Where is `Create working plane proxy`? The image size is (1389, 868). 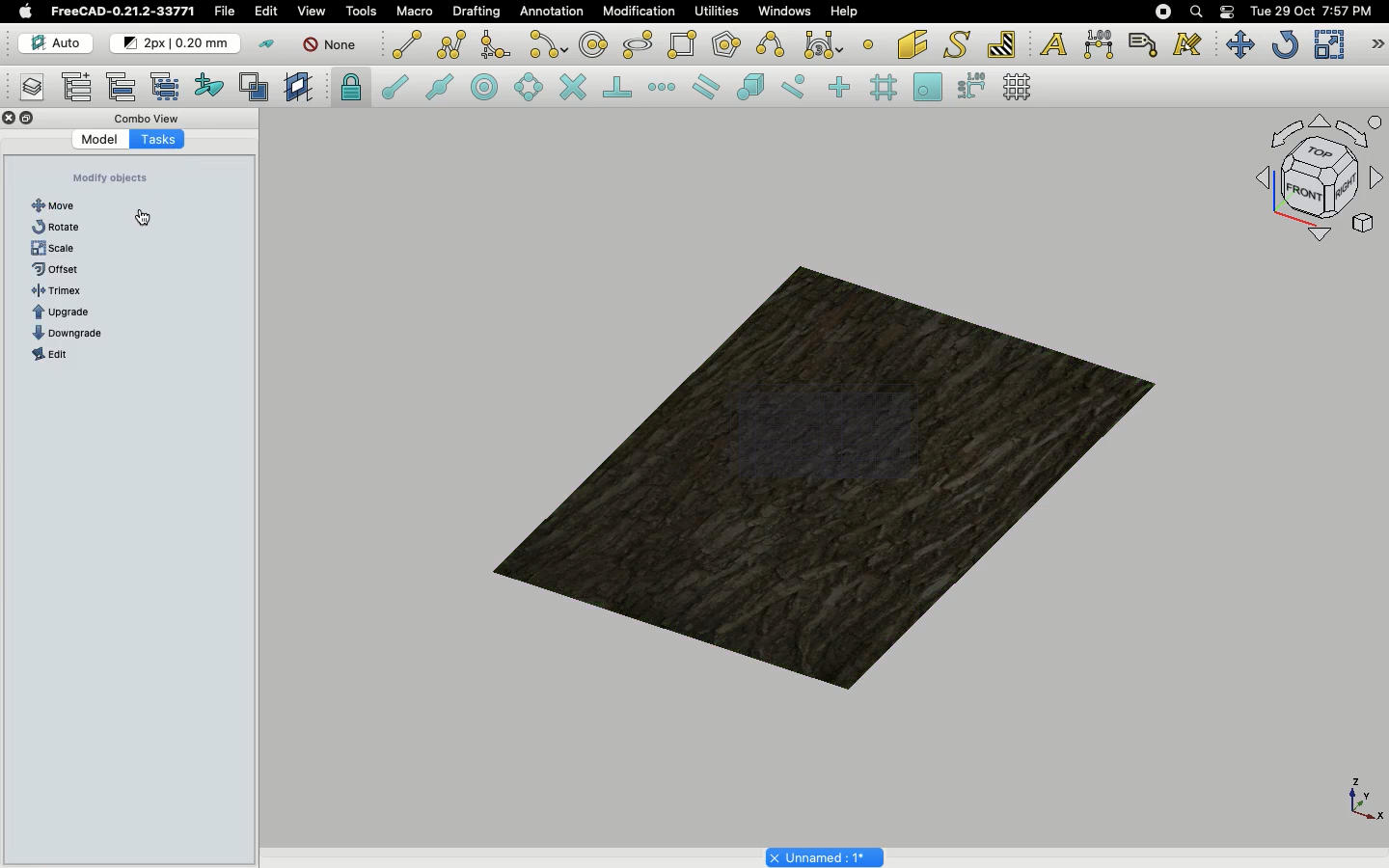 Create working plane proxy is located at coordinates (258, 88).